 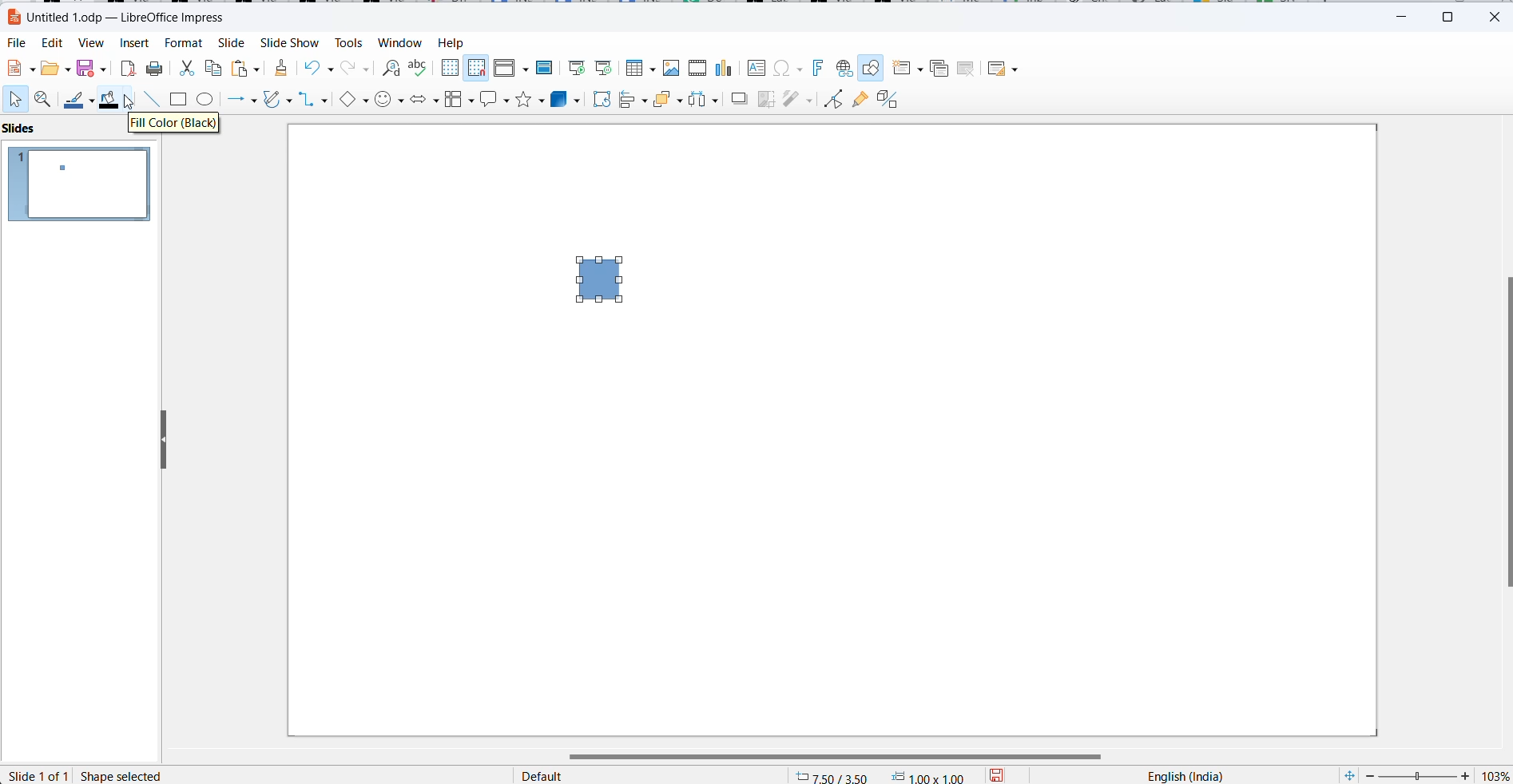 I want to click on slide number, so click(x=40, y=775).